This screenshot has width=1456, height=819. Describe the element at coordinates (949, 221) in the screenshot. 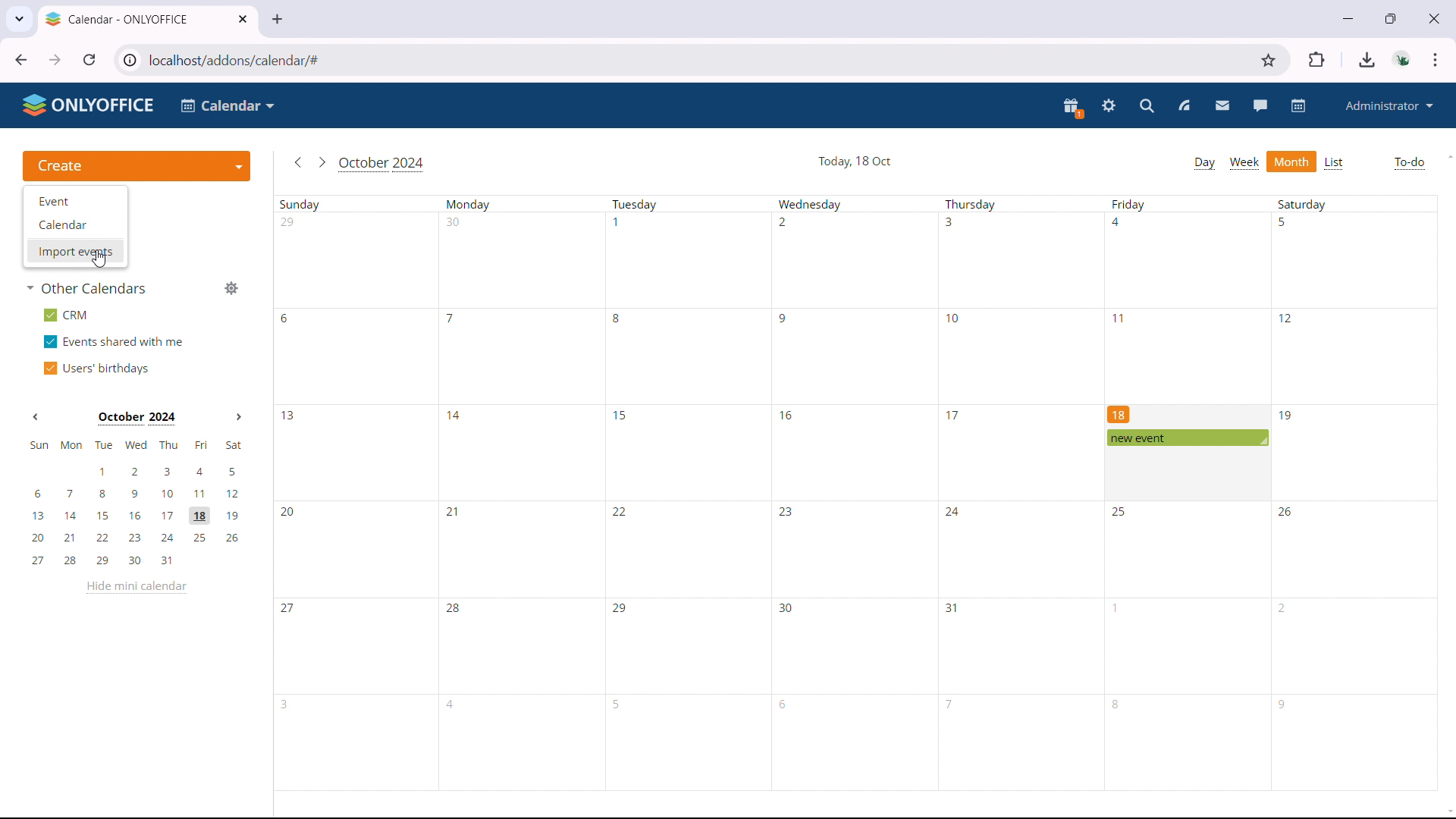

I see `3` at that location.